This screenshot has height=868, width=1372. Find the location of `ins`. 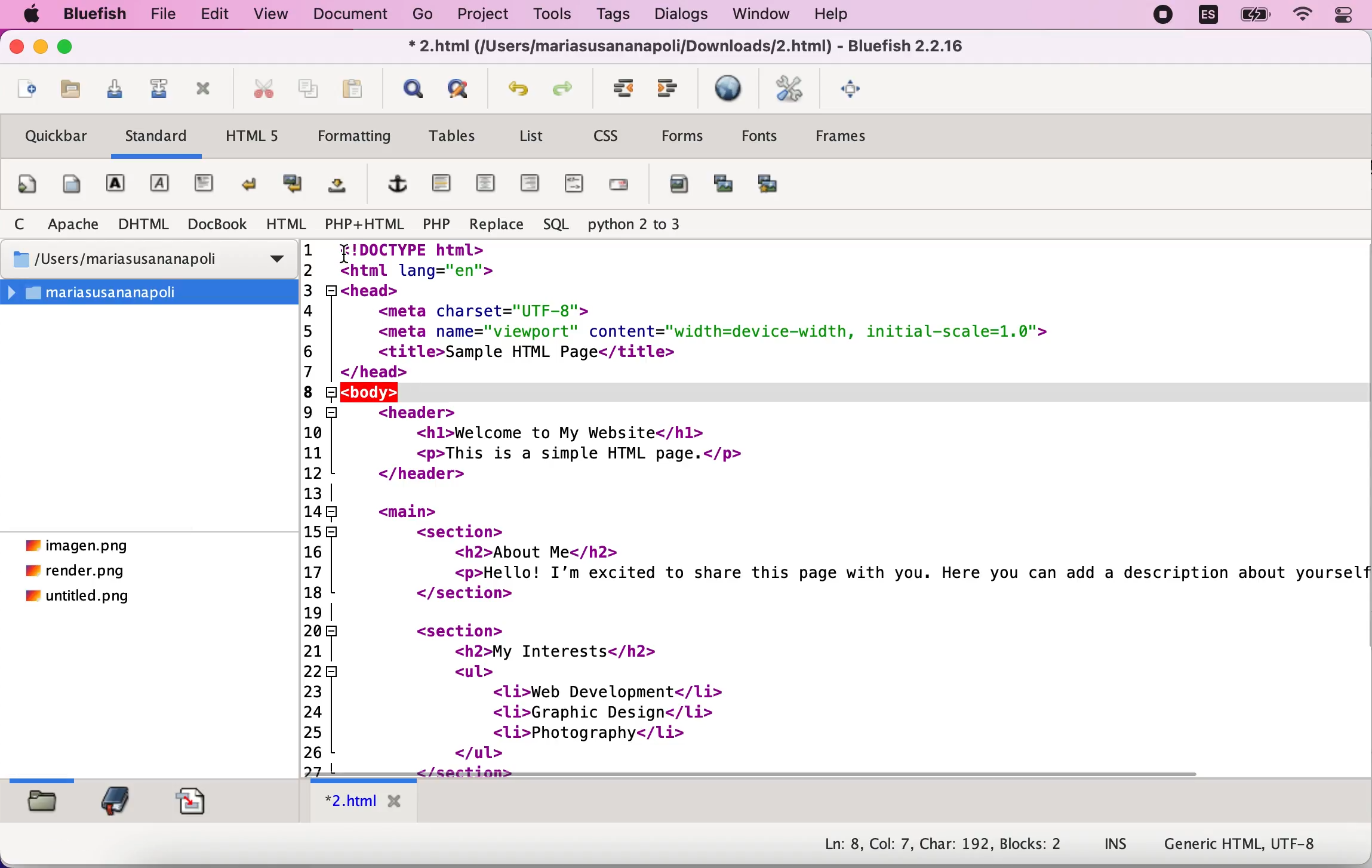

ins is located at coordinates (1119, 844).